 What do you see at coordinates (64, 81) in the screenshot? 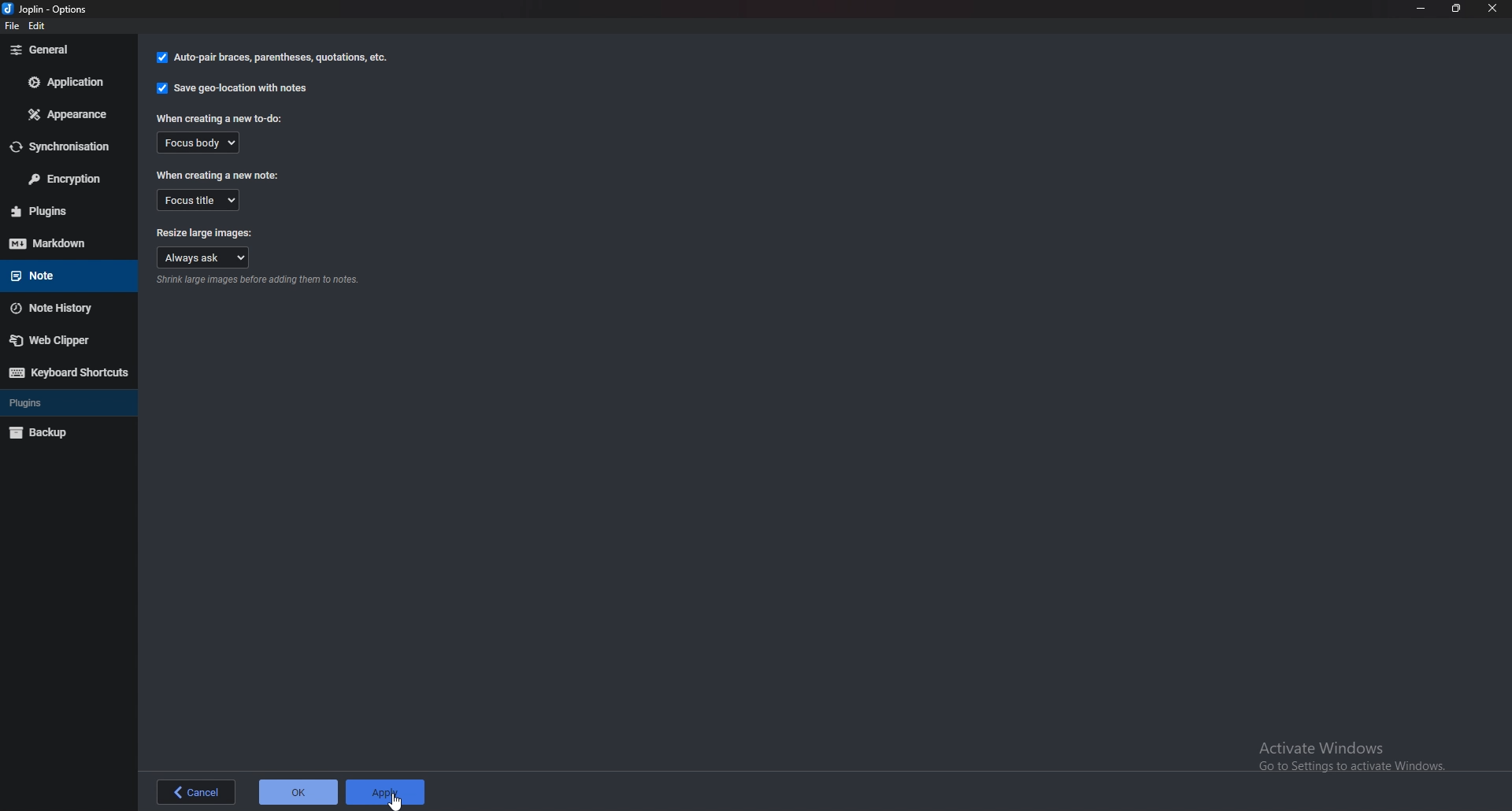
I see `Application` at bounding box center [64, 81].